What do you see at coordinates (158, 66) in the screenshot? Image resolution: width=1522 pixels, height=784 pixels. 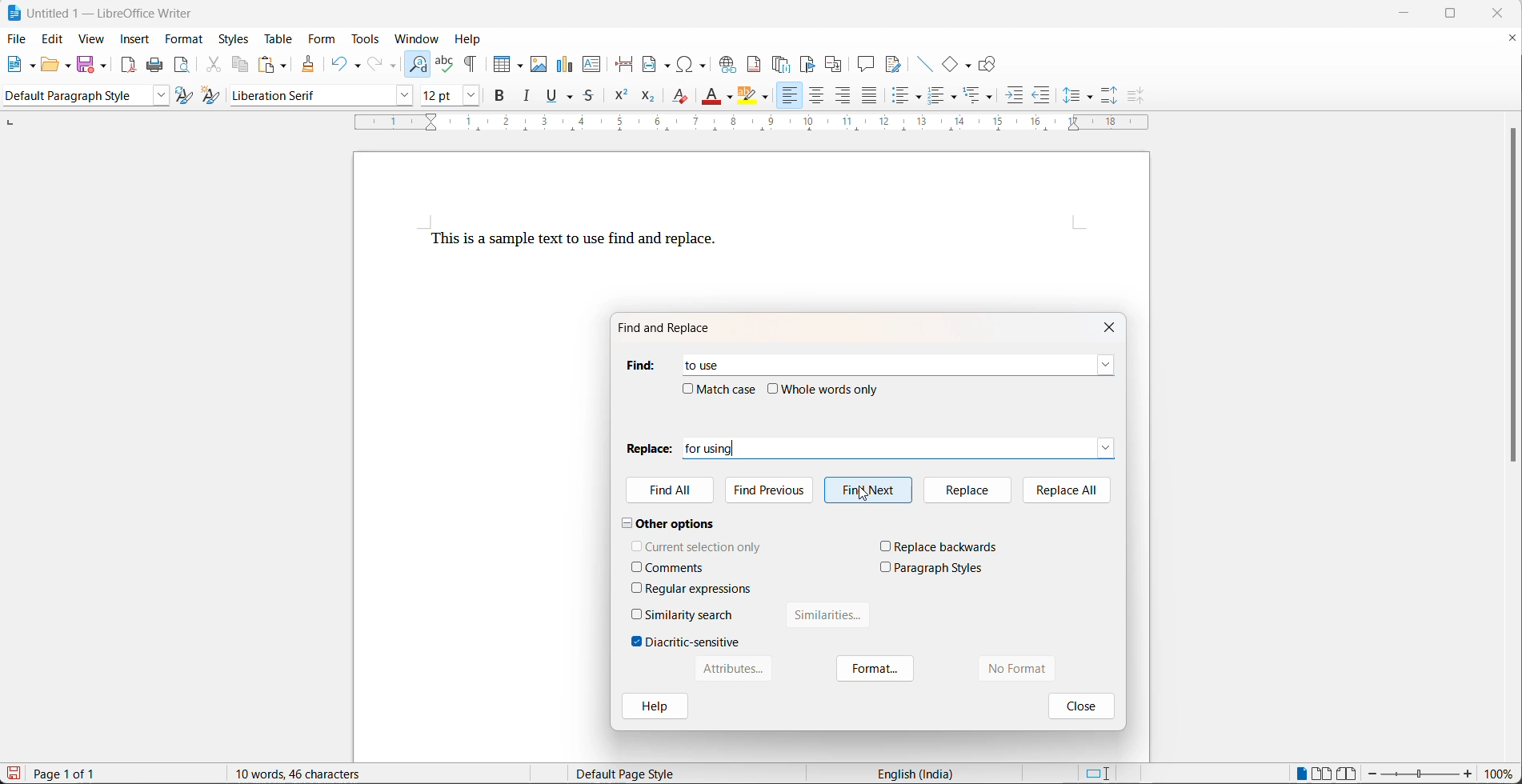 I see `print` at bounding box center [158, 66].